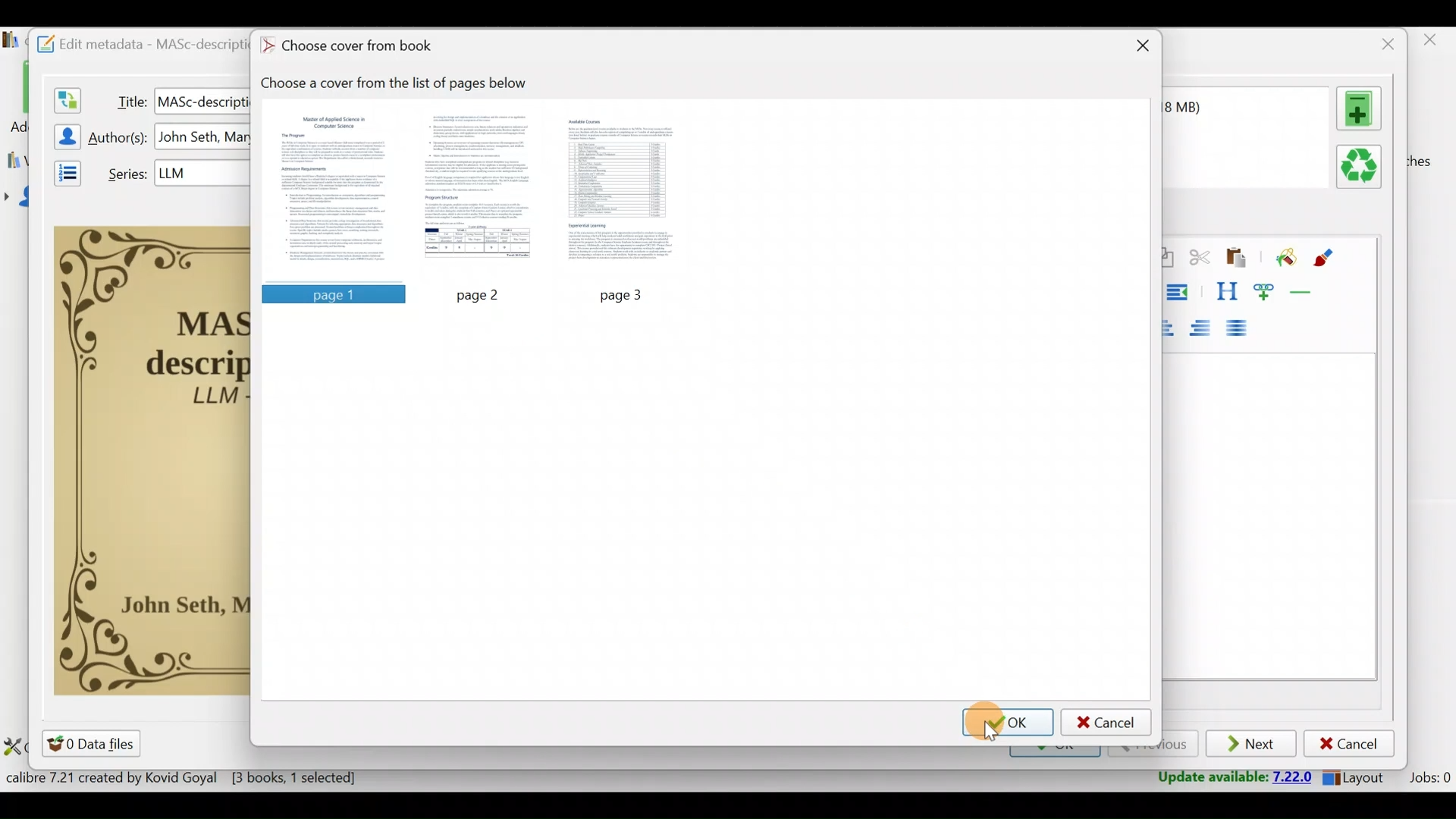 The height and width of the screenshot is (819, 1456). What do you see at coordinates (331, 293) in the screenshot?
I see `` at bounding box center [331, 293].